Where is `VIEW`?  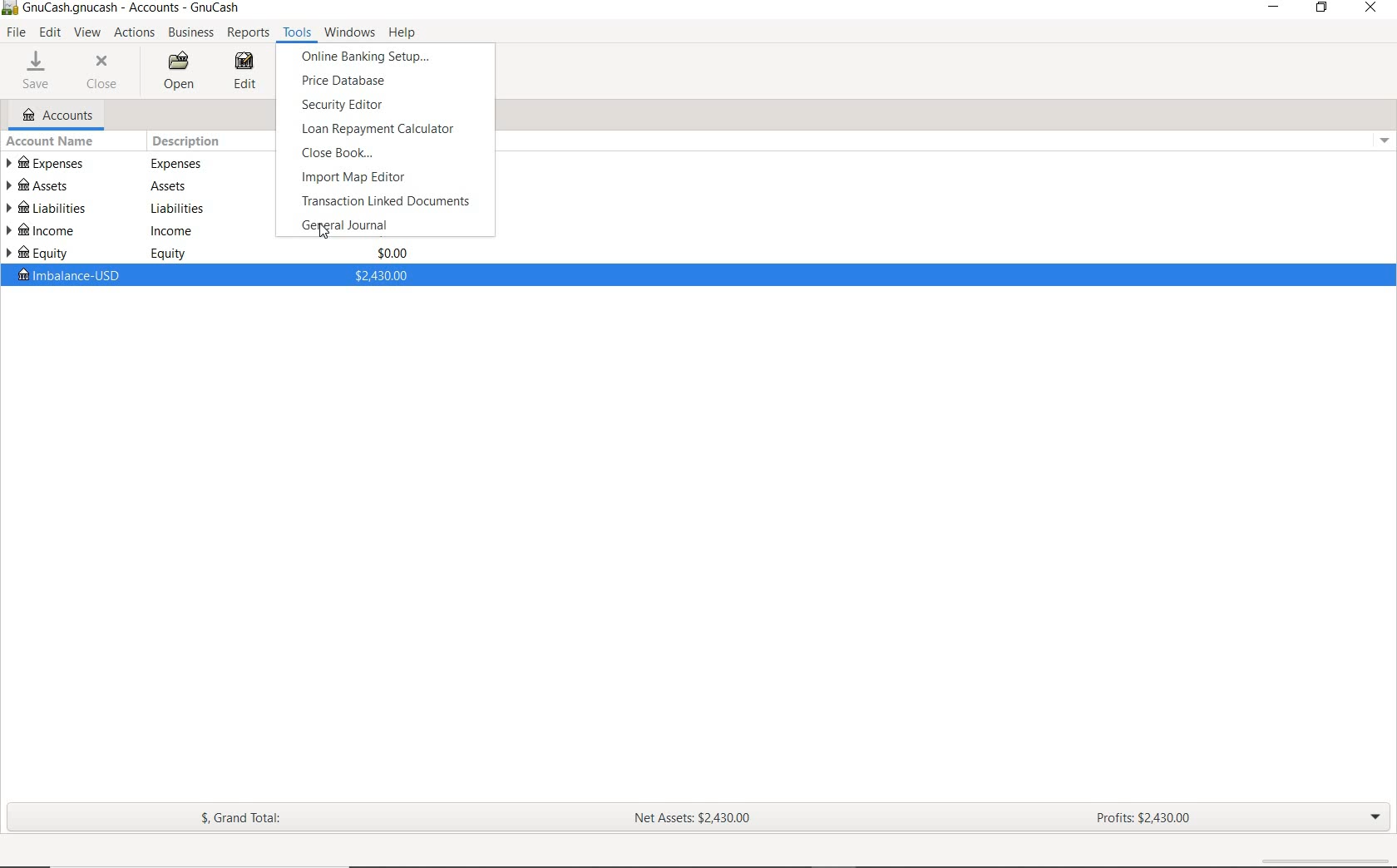 VIEW is located at coordinates (89, 33).